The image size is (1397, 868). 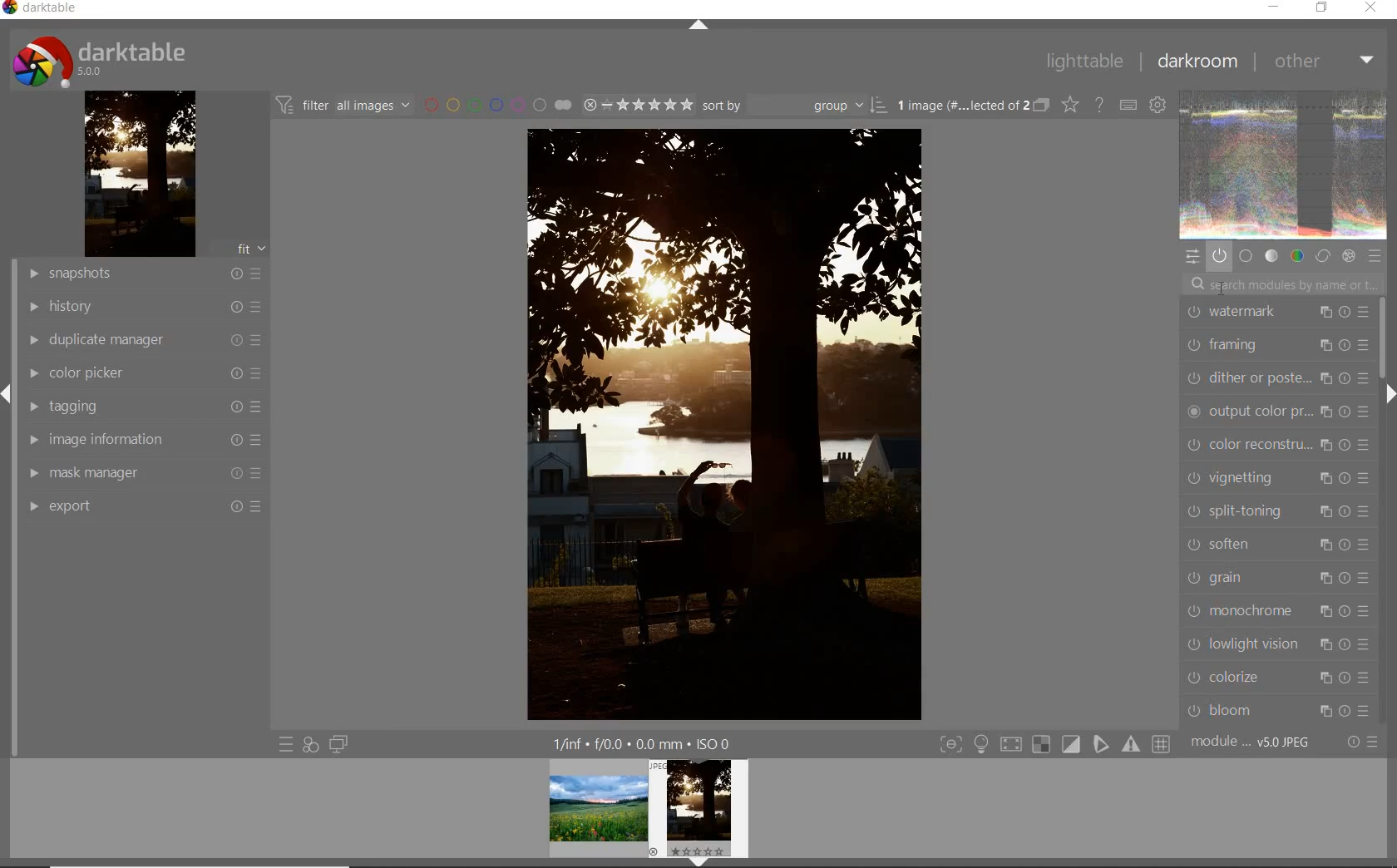 I want to click on lowlight vision, so click(x=1277, y=644).